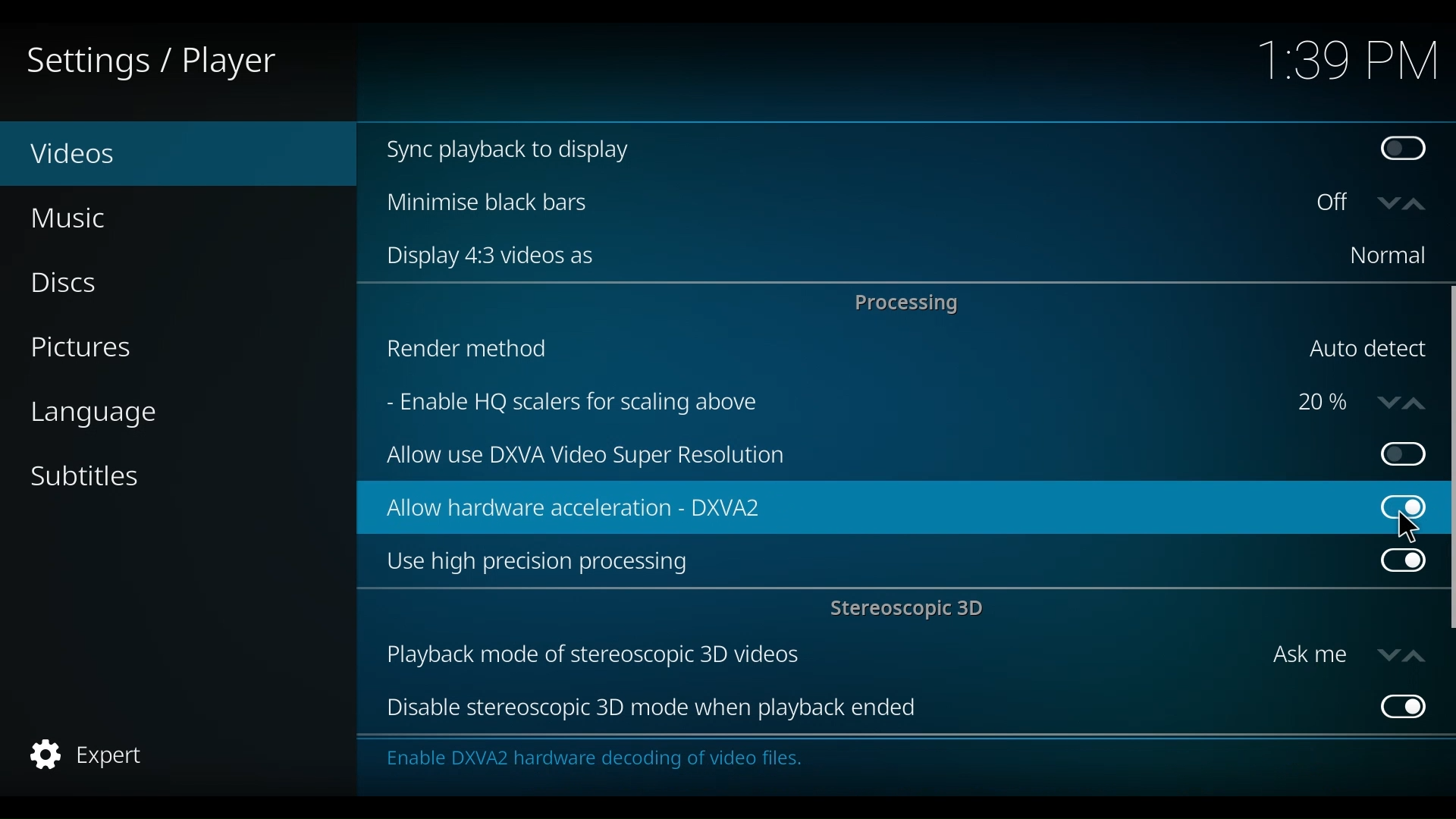  Describe the element at coordinates (1419, 205) in the screenshot. I see `up` at that location.